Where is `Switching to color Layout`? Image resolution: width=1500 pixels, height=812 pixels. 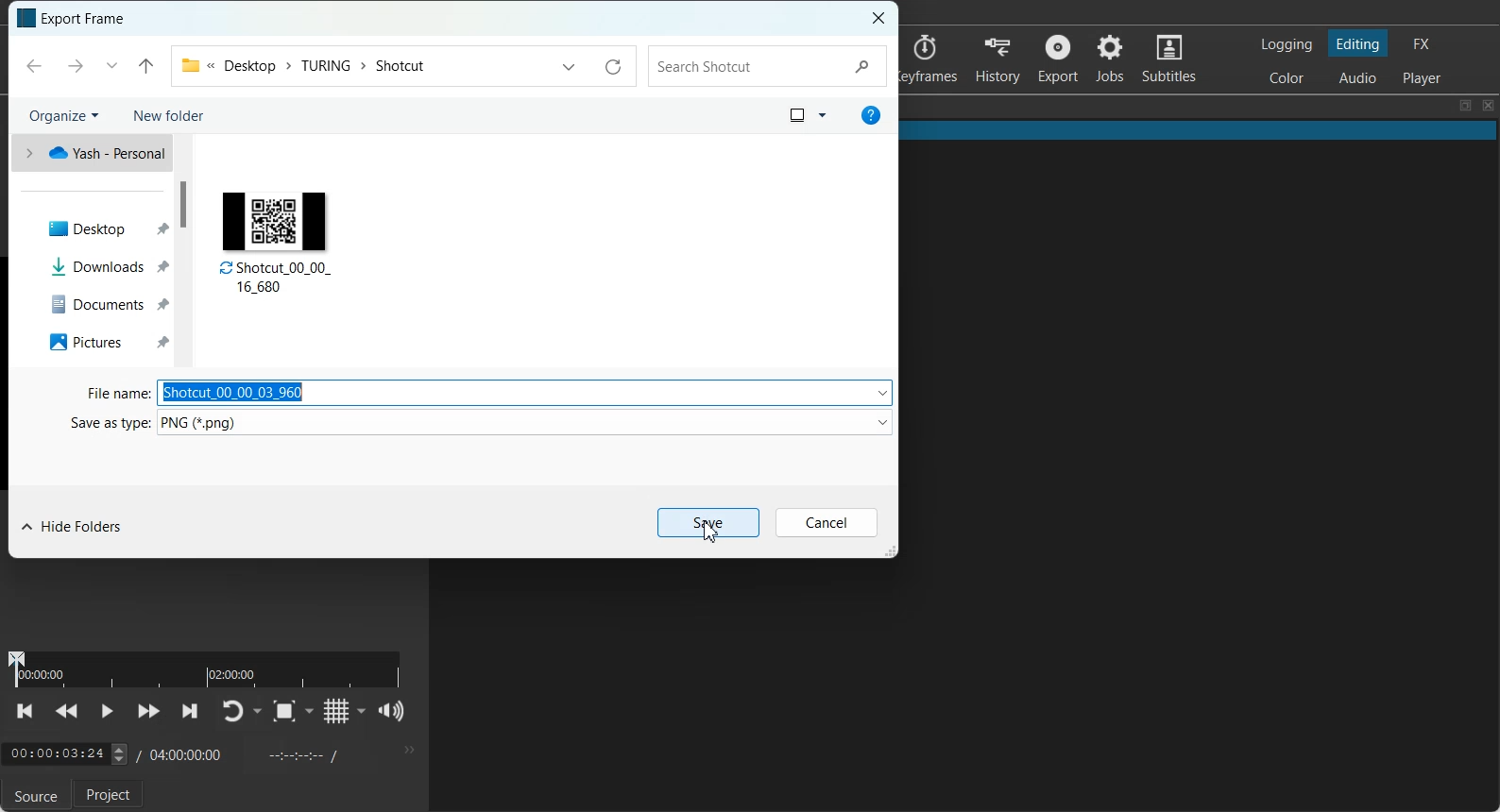
Switching to color Layout is located at coordinates (1287, 78).